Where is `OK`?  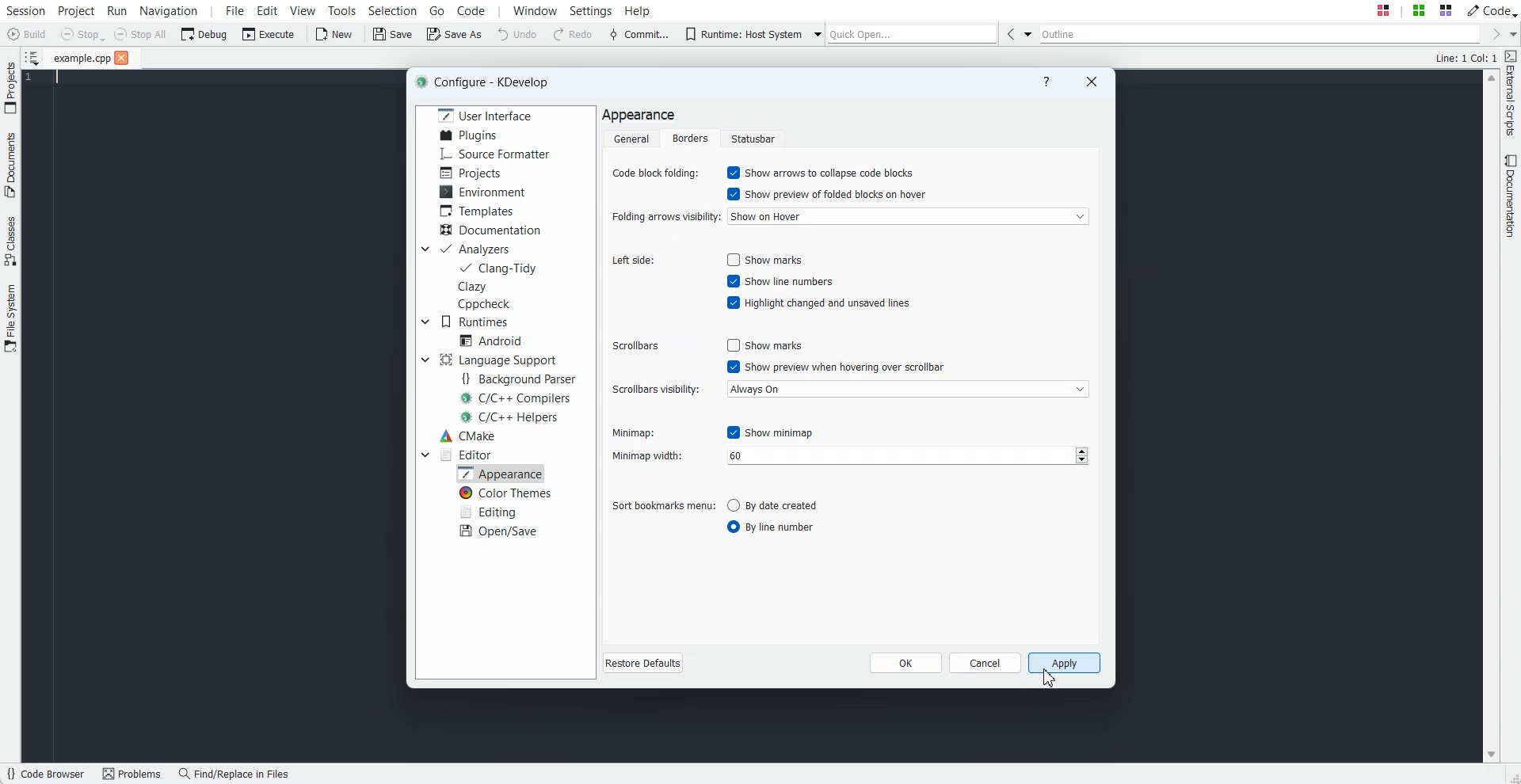
OK is located at coordinates (906, 662).